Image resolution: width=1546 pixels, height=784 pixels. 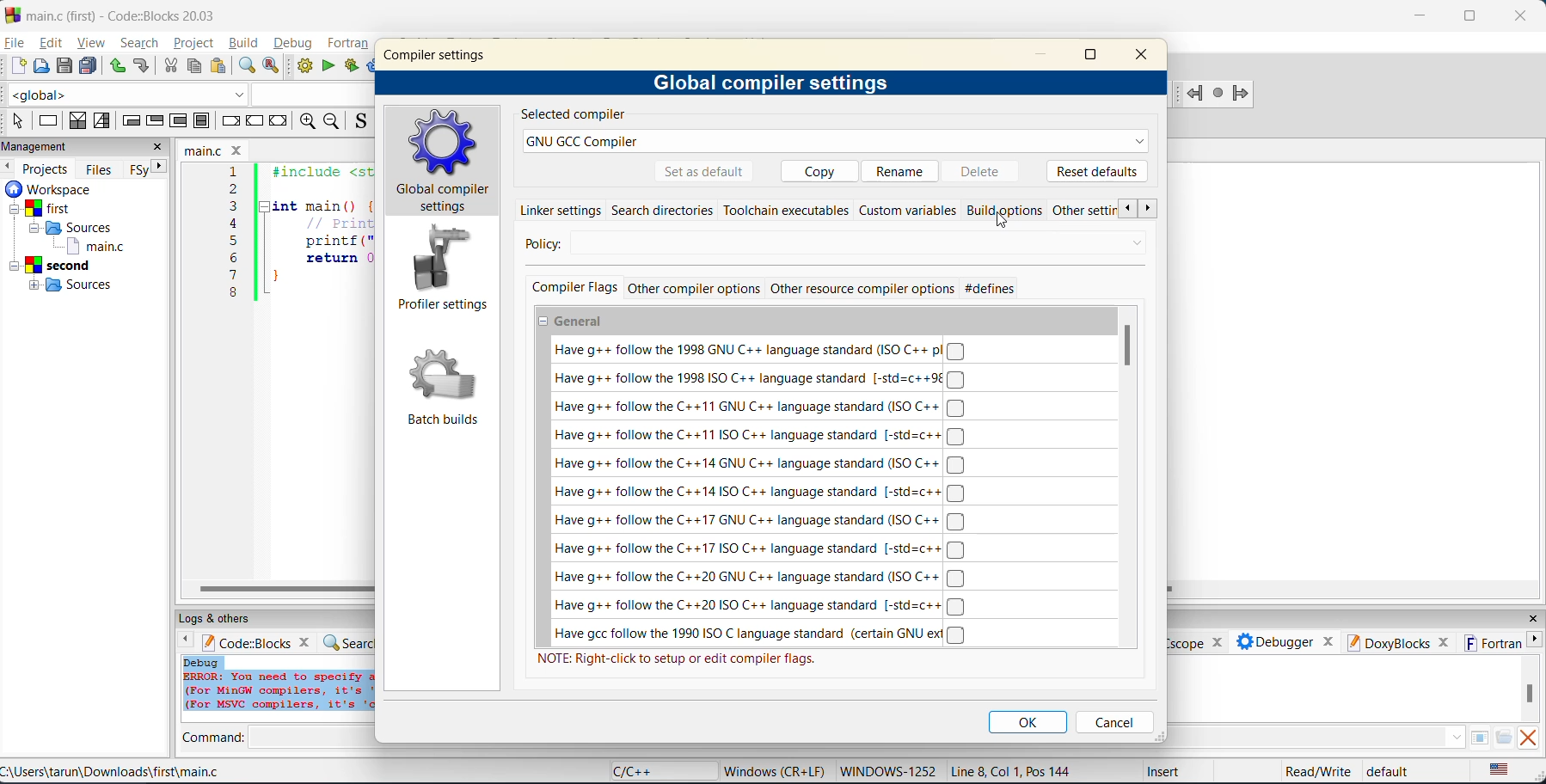 What do you see at coordinates (1146, 56) in the screenshot?
I see `close` at bounding box center [1146, 56].